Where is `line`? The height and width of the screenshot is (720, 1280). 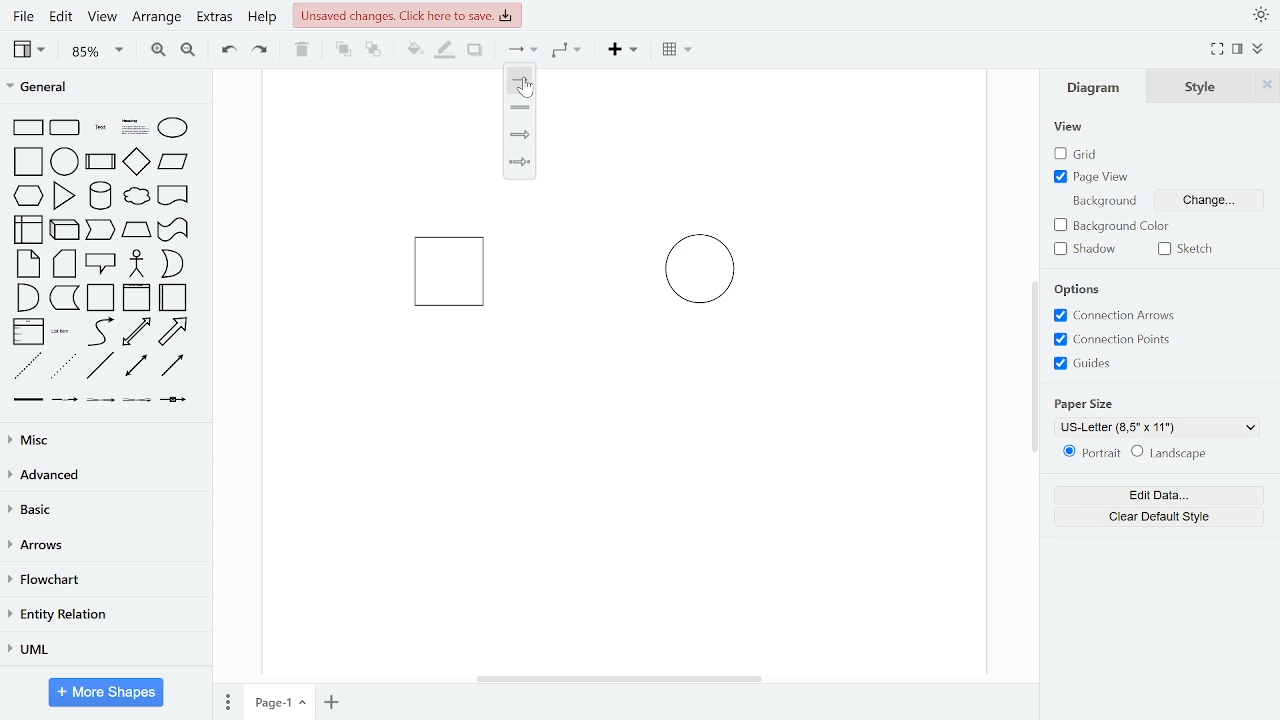 line is located at coordinates (520, 81).